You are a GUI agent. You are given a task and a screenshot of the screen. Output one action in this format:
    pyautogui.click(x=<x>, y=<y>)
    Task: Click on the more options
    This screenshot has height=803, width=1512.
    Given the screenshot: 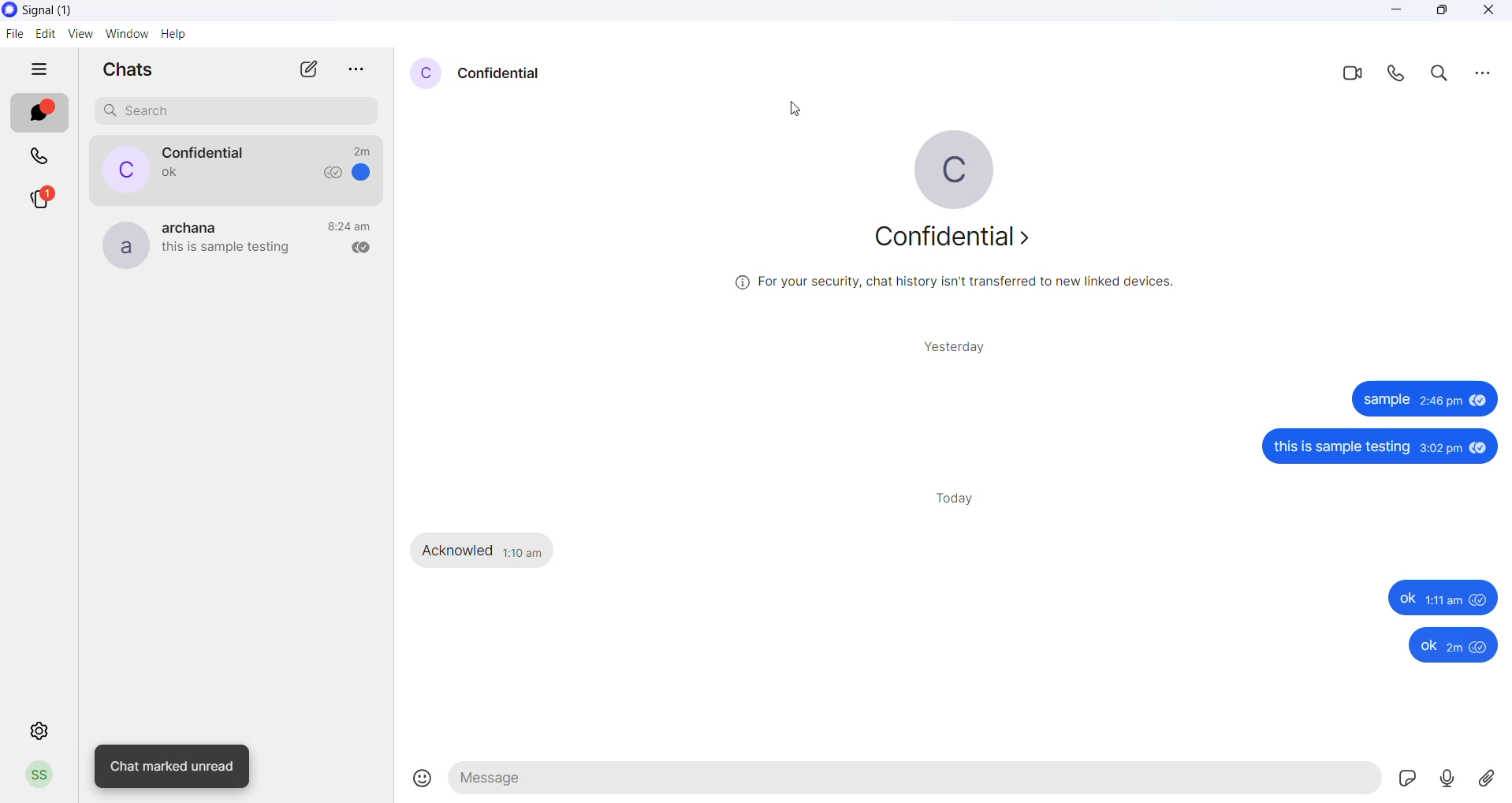 What is the action you would take?
    pyautogui.click(x=350, y=70)
    